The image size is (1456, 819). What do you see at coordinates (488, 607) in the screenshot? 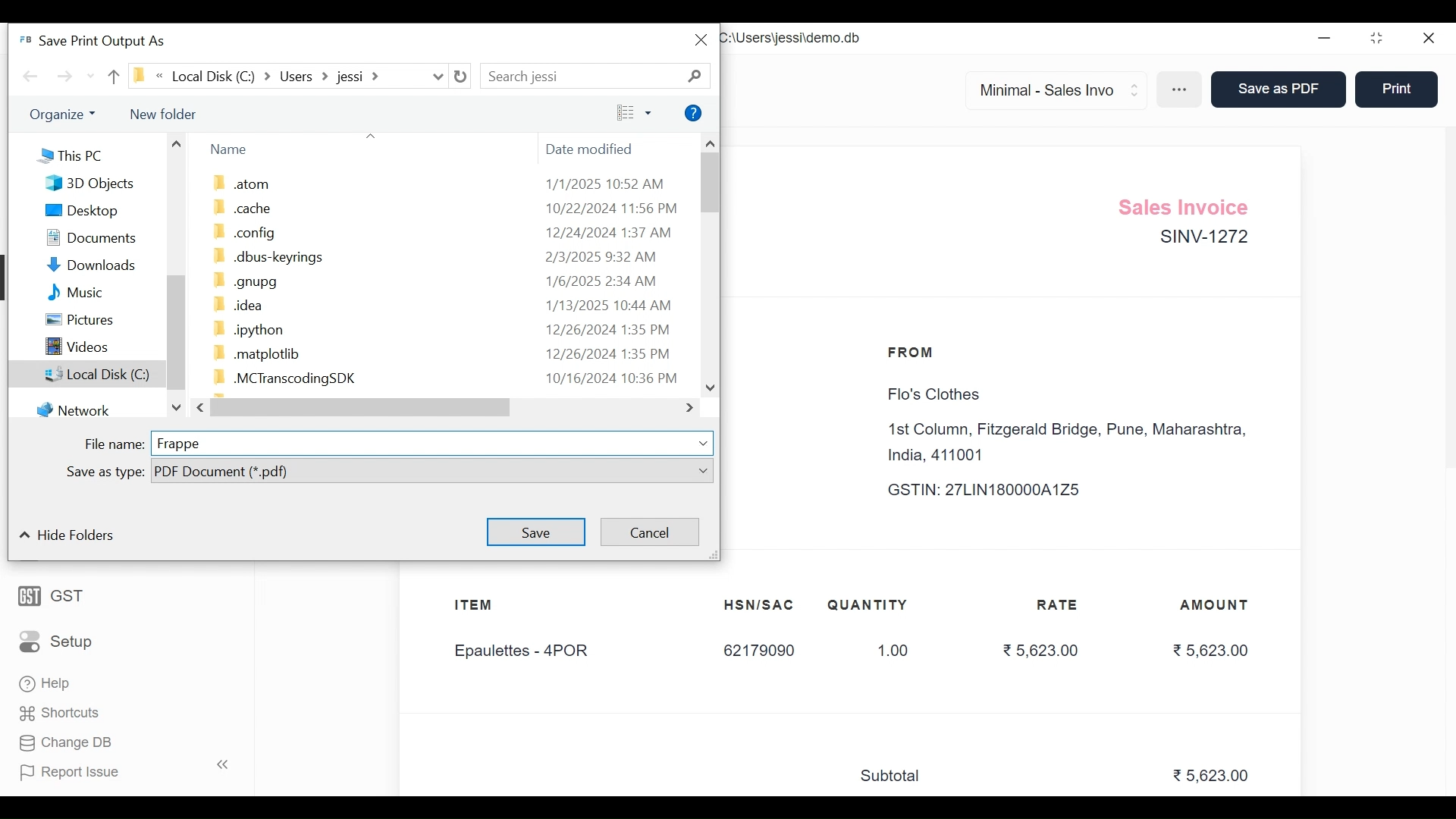
I see `ITEM` at bounding box center [488, 607].